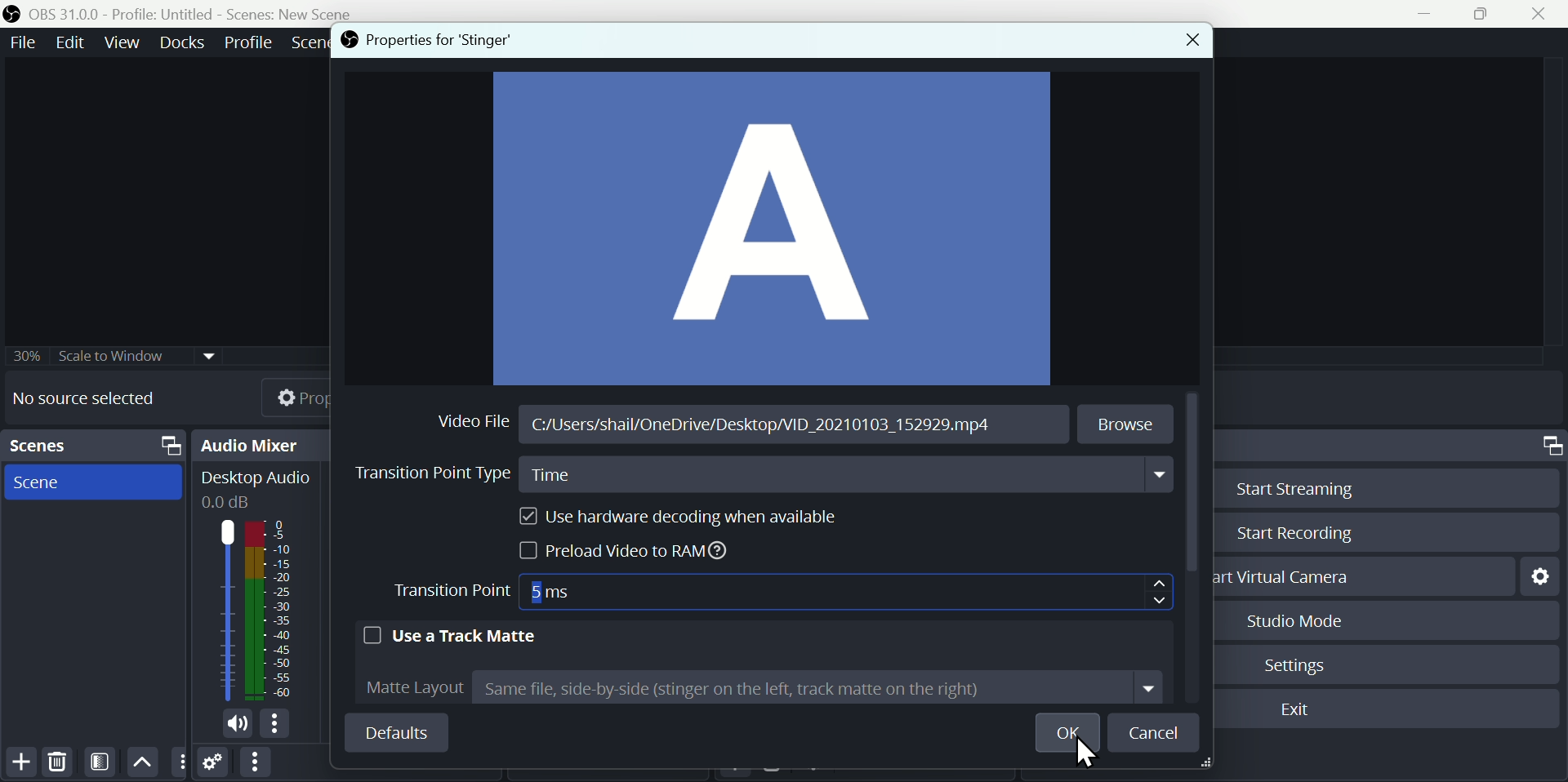 This screenshot has height=782, width=1568. What do you see at coordinates (850, 478) in the screenshot?
I see `Time` at bounding box center [850, 478].